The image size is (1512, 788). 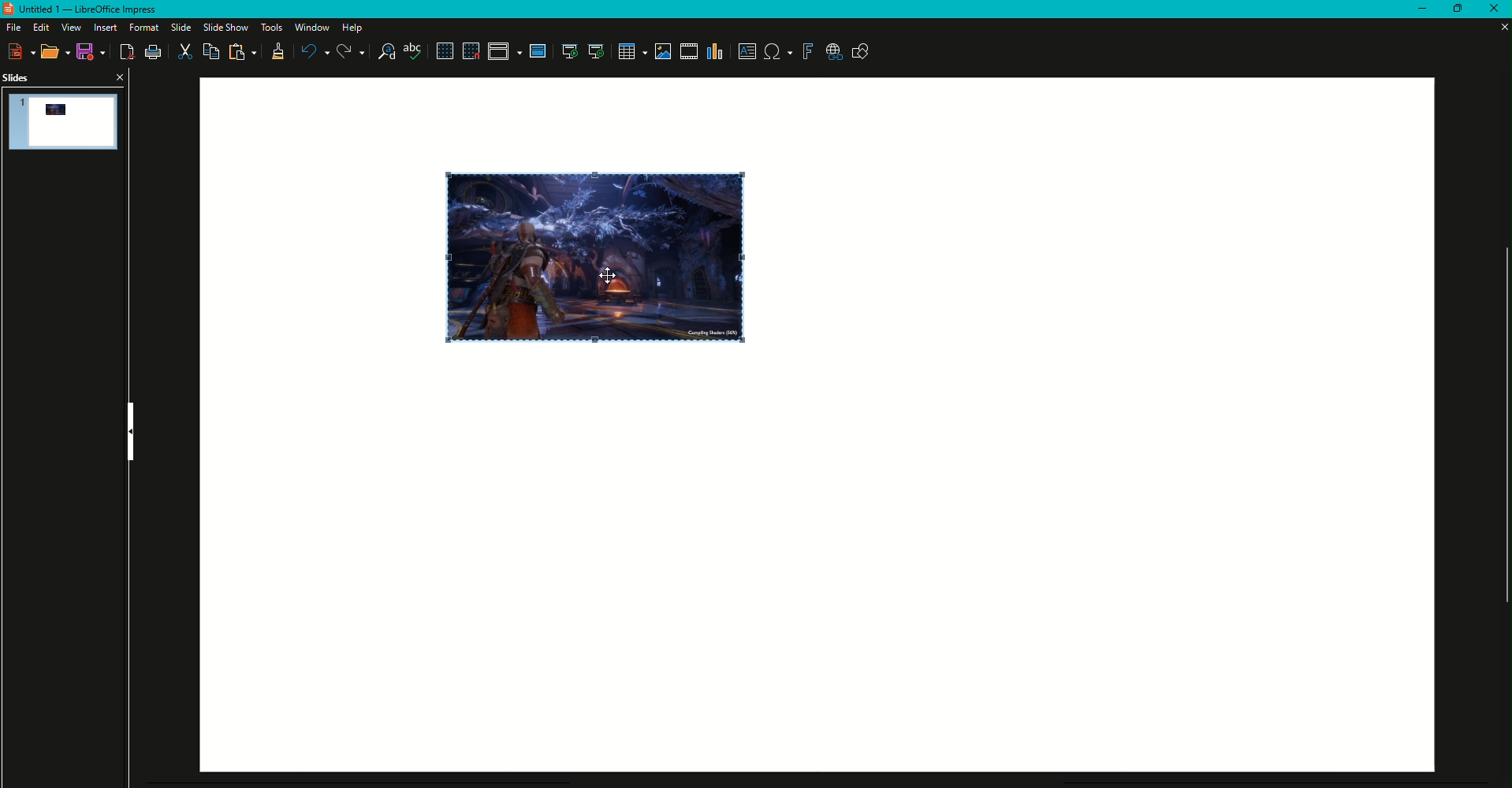 I want to click on Text Box, so click(x=747, y=51).